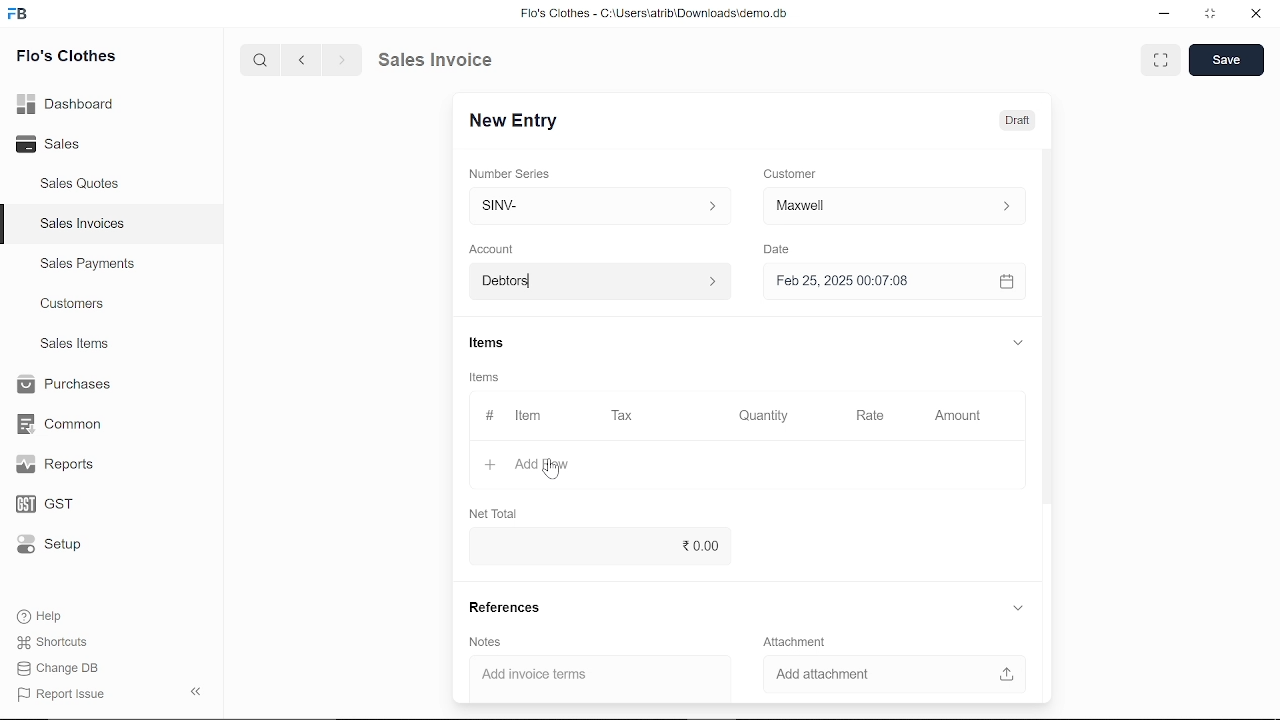 The width and height of the screenshot is (1280, 720). I want to click on Dashboard, so click(67, 107).